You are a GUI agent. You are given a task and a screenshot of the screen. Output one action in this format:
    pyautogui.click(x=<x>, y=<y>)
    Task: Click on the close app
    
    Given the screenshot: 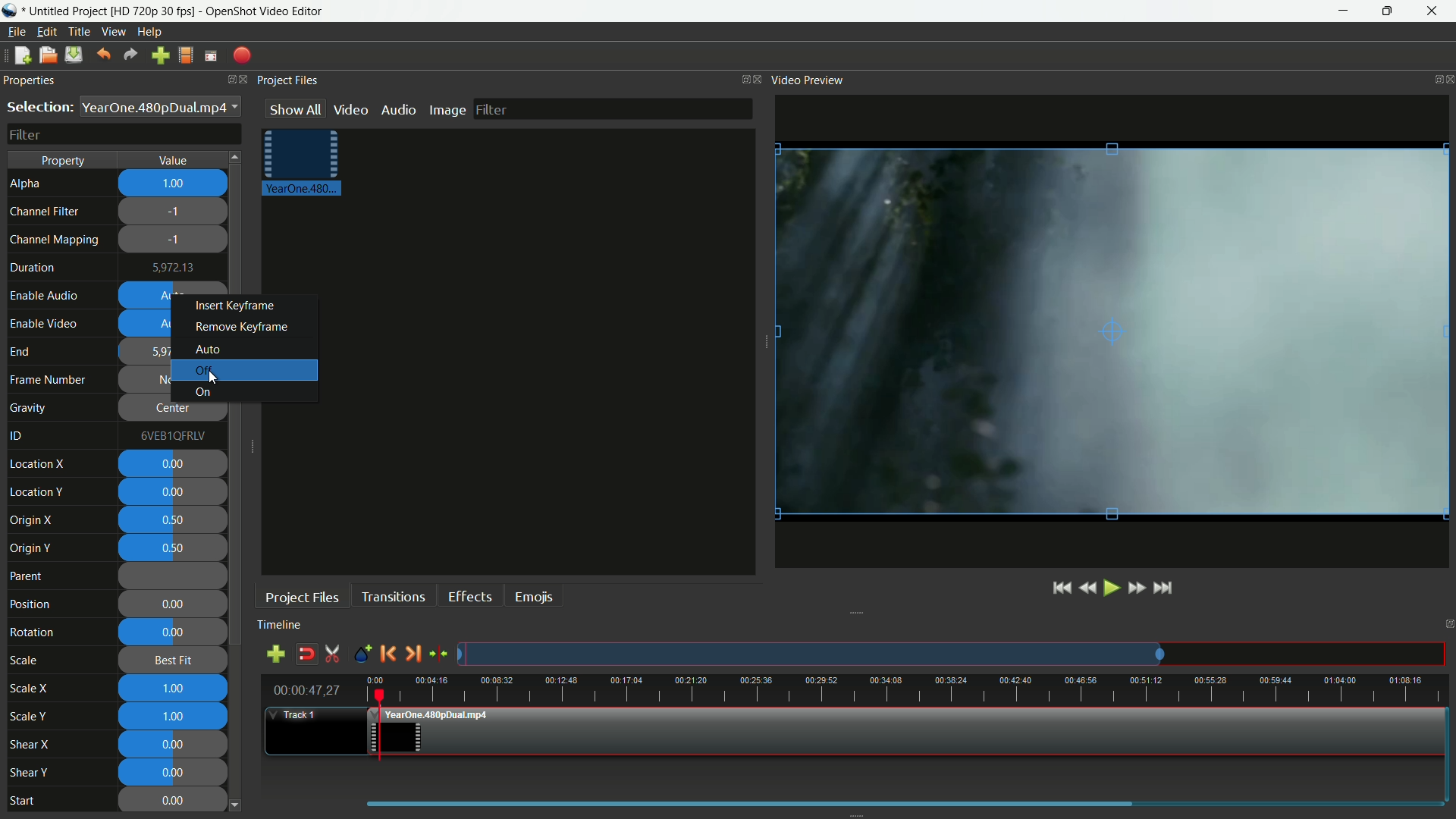 What is the action you would take?
    pyautogui.click(x=1434, y=11)
    